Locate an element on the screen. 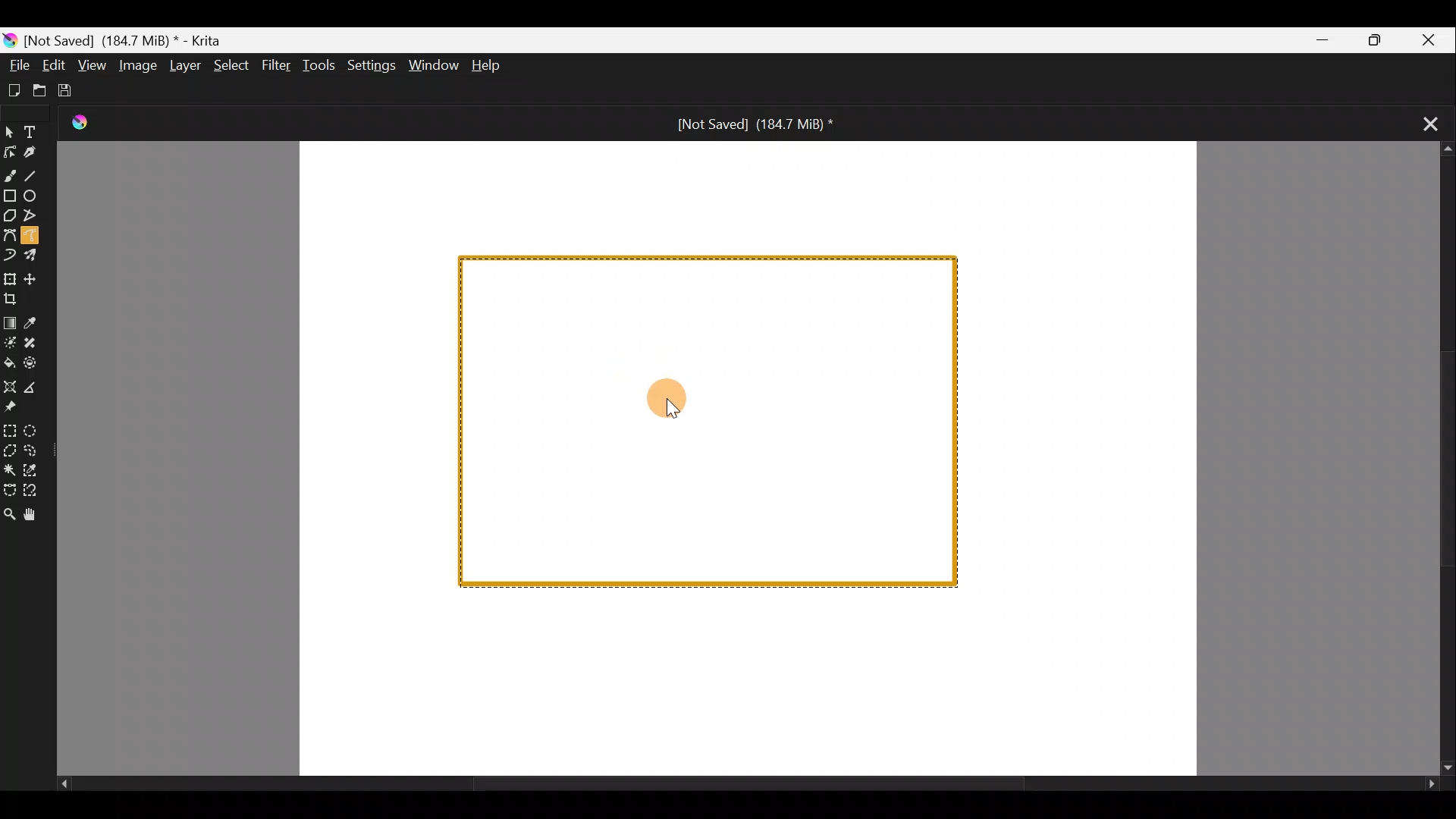  Tools is located at coordinates (318, 65).